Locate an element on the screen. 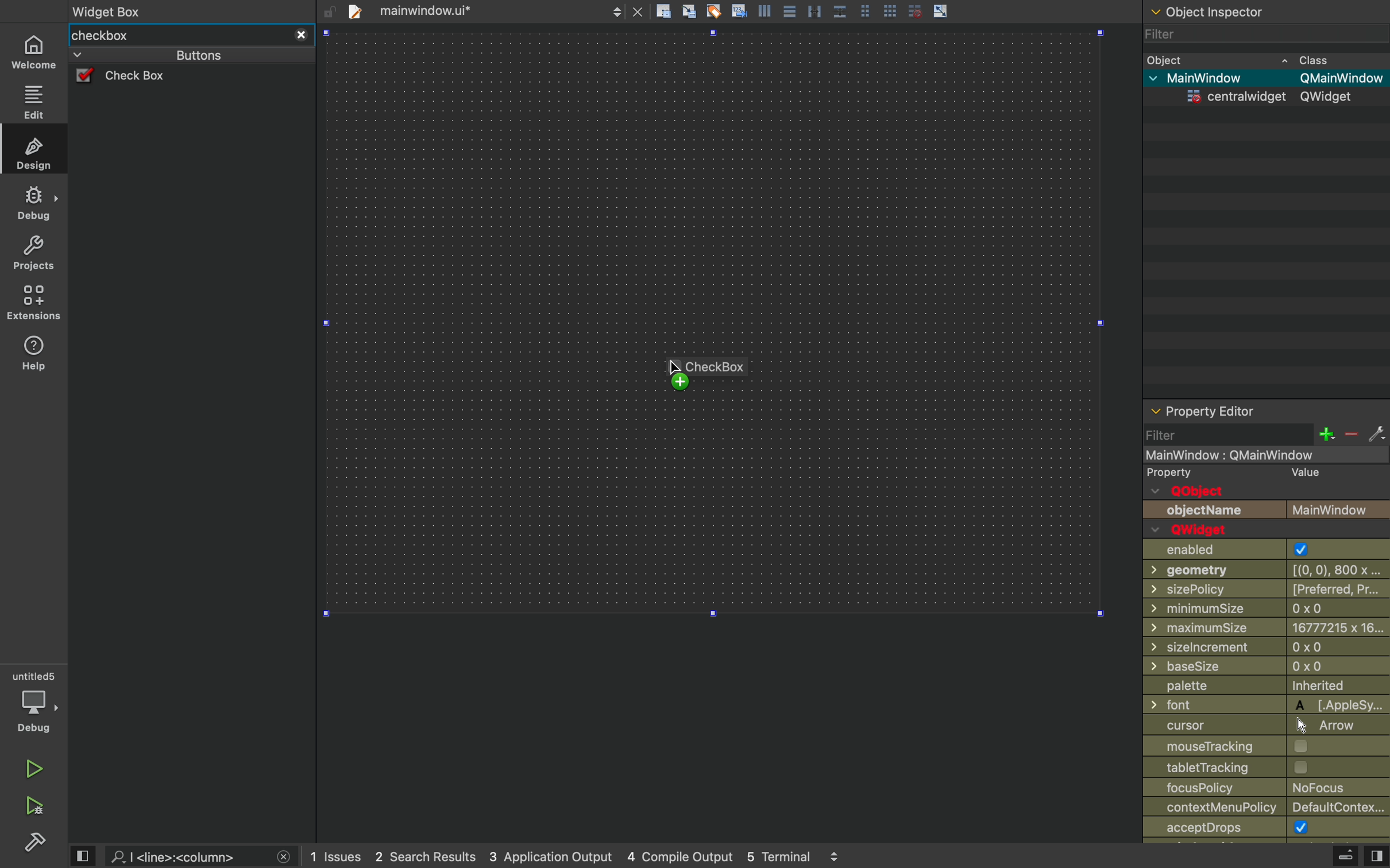 This screenshot has height=868, width=1390. filter is located at coordinates (1228, 434).